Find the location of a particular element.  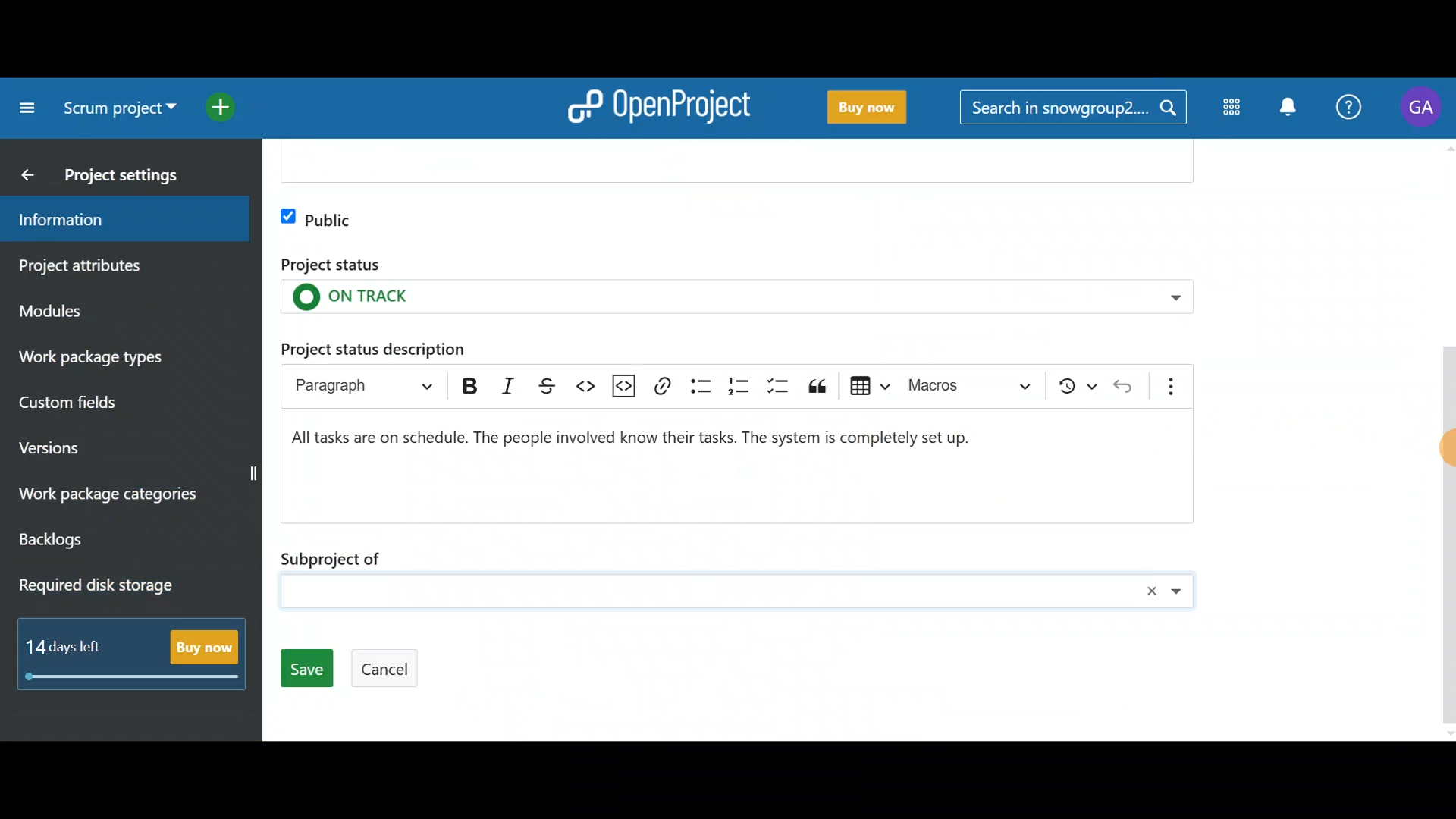

Cursor is located at coordinates (1445, 452).